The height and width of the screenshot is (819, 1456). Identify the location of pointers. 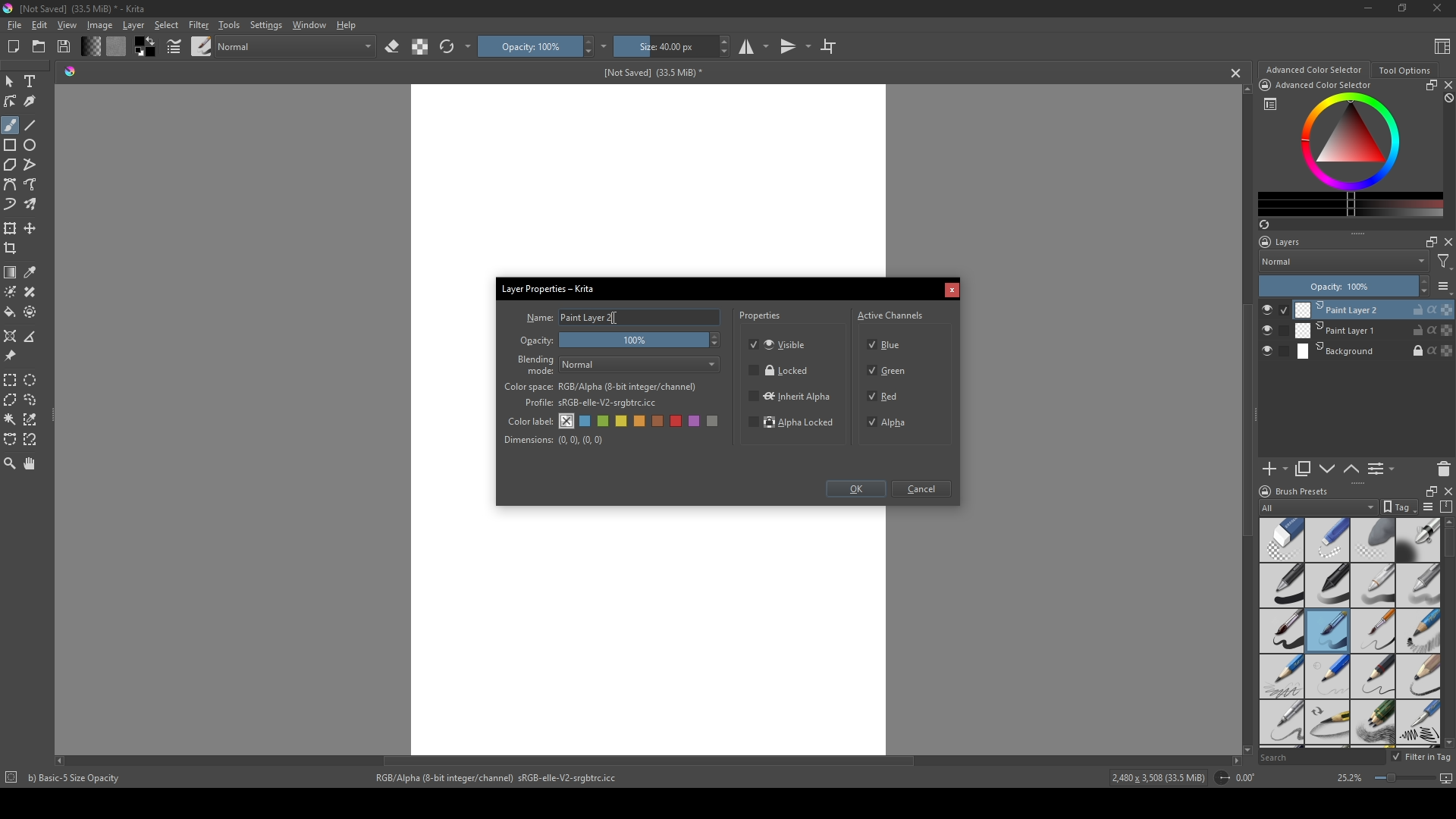
(174, 47).